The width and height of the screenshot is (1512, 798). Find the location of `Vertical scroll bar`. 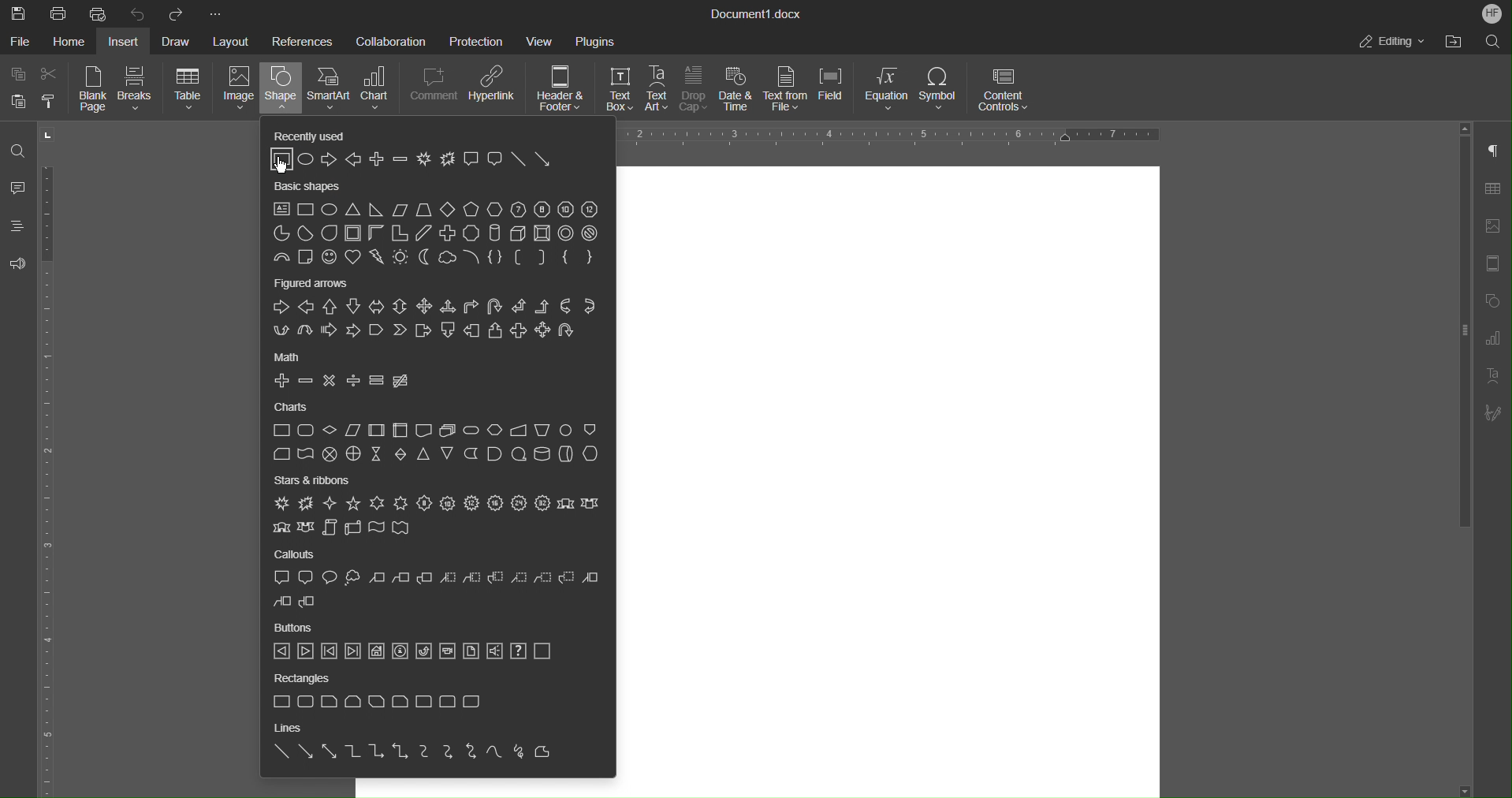

Vertical scroll bar is located at coordinates (1462, 337).